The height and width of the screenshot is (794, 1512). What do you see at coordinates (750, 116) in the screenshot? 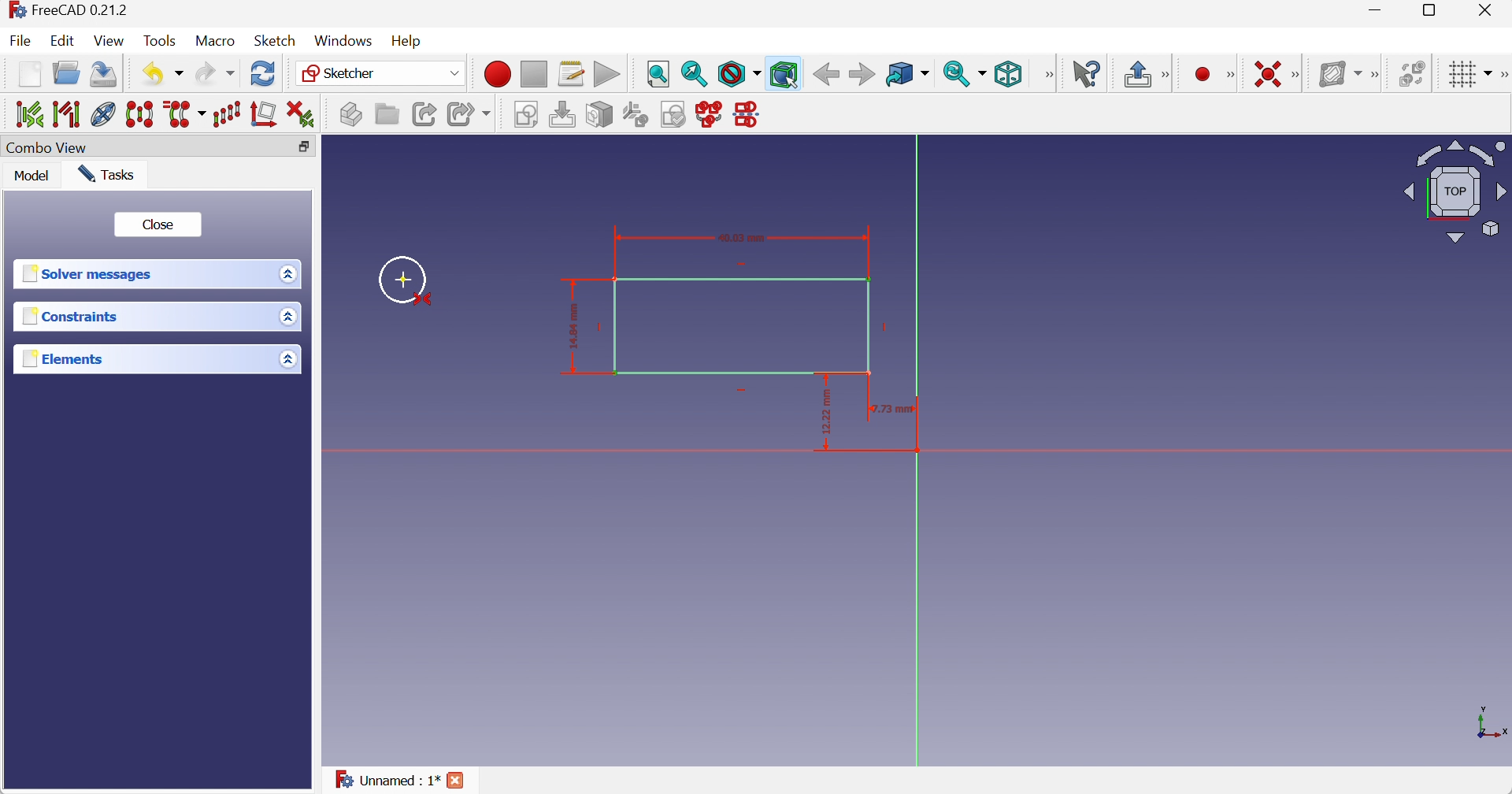
I see `Mirror sketch` at bounding box center [750, 116].